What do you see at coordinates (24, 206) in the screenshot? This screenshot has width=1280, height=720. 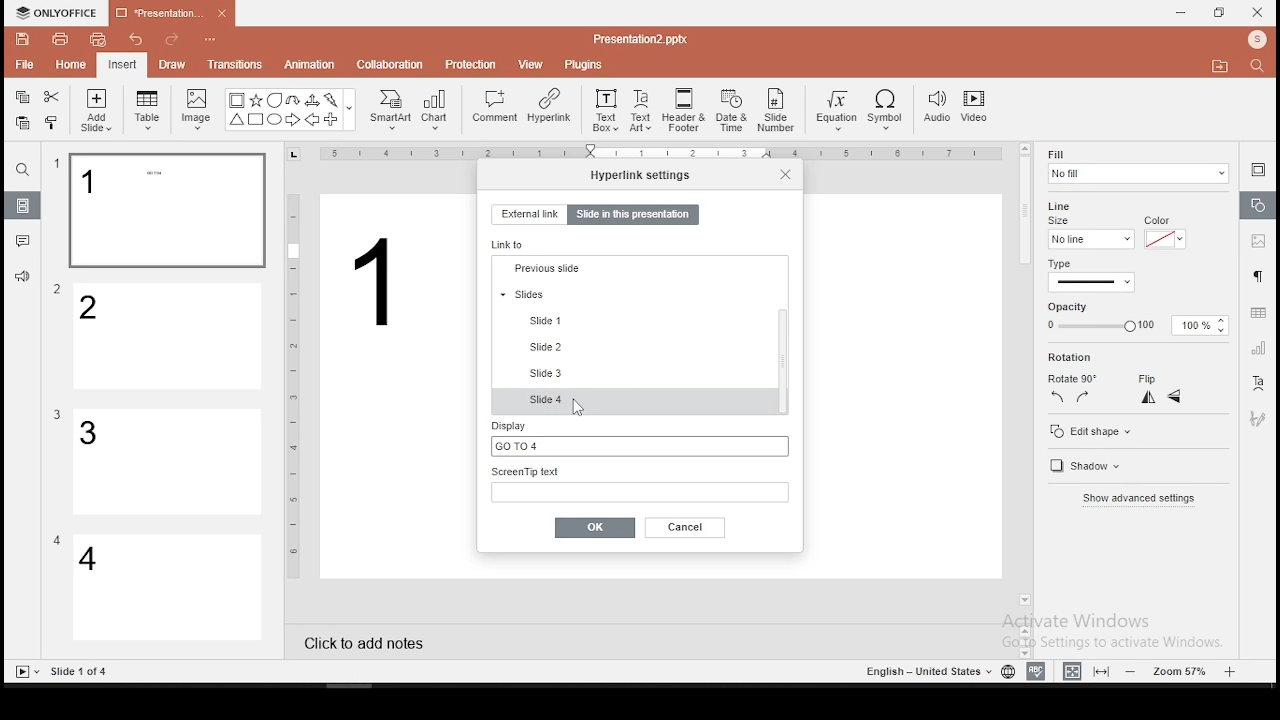 I see `slides` at bounding box center [24, 206].